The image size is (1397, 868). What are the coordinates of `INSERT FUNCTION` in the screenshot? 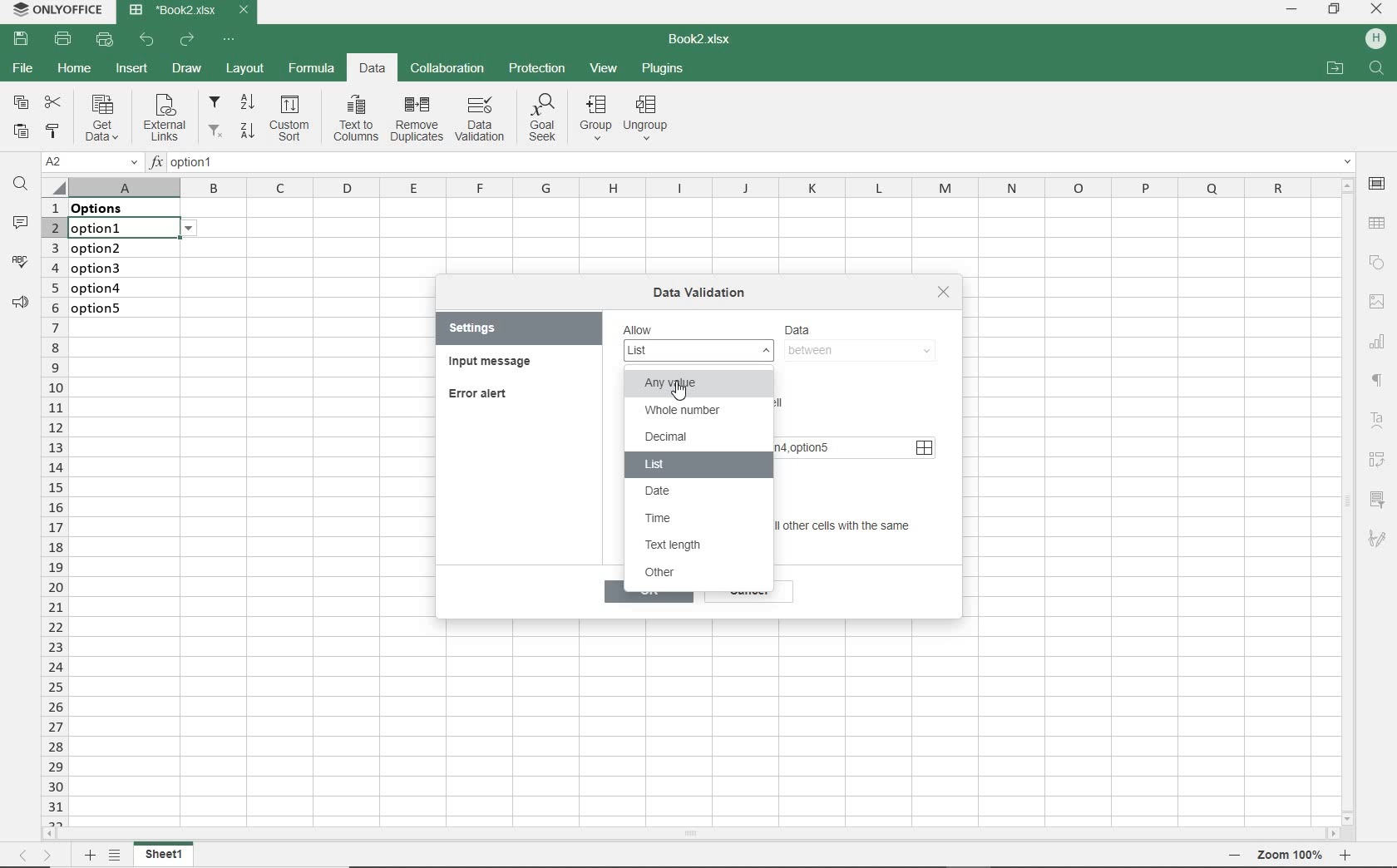 It's located at (752, 165).